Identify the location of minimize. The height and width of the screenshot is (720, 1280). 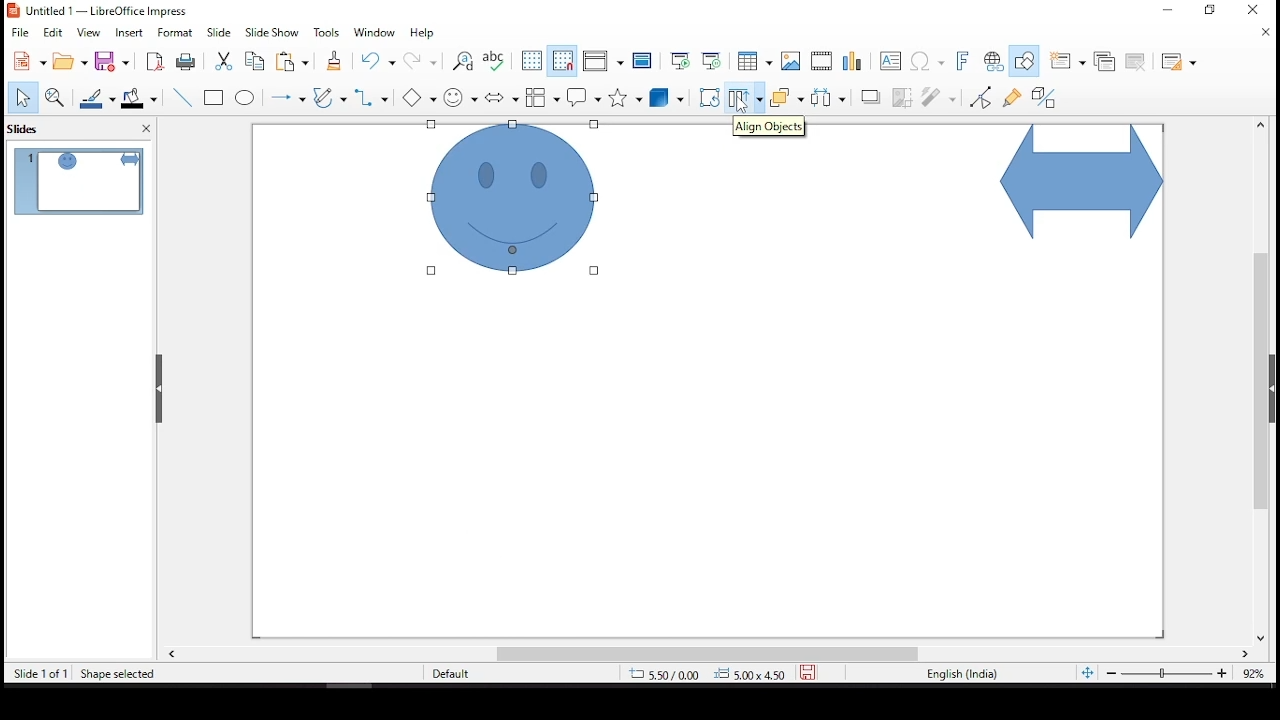
(1169, 8).